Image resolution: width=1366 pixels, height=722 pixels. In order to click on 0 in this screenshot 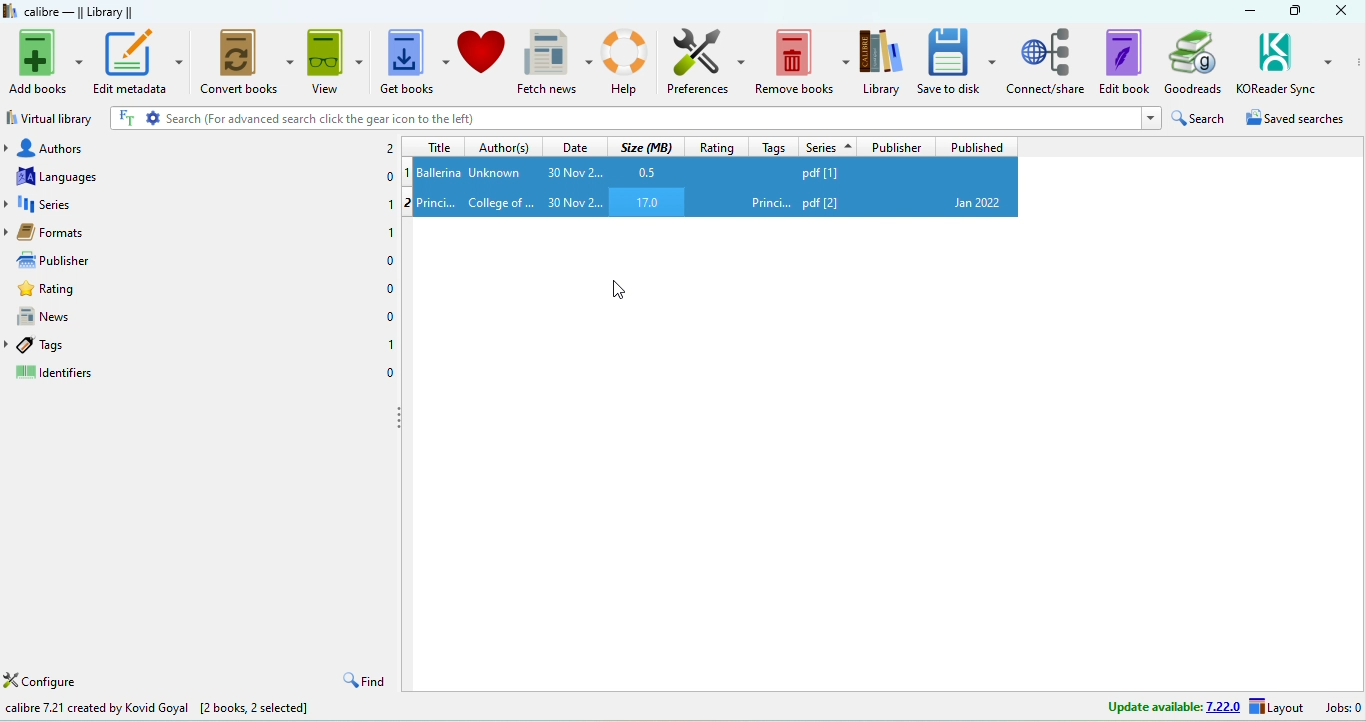, I will do `click(389, 317)`.